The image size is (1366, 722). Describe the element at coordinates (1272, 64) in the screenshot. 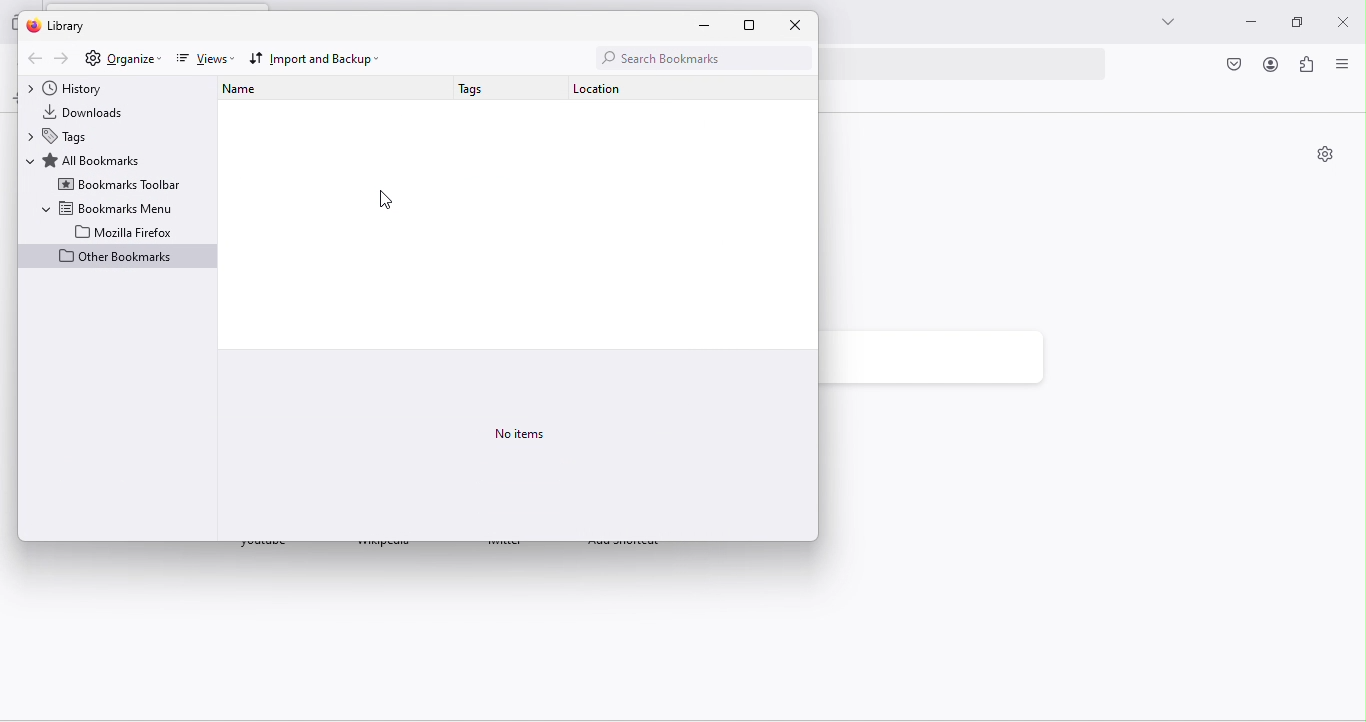

I see `account` at that location.